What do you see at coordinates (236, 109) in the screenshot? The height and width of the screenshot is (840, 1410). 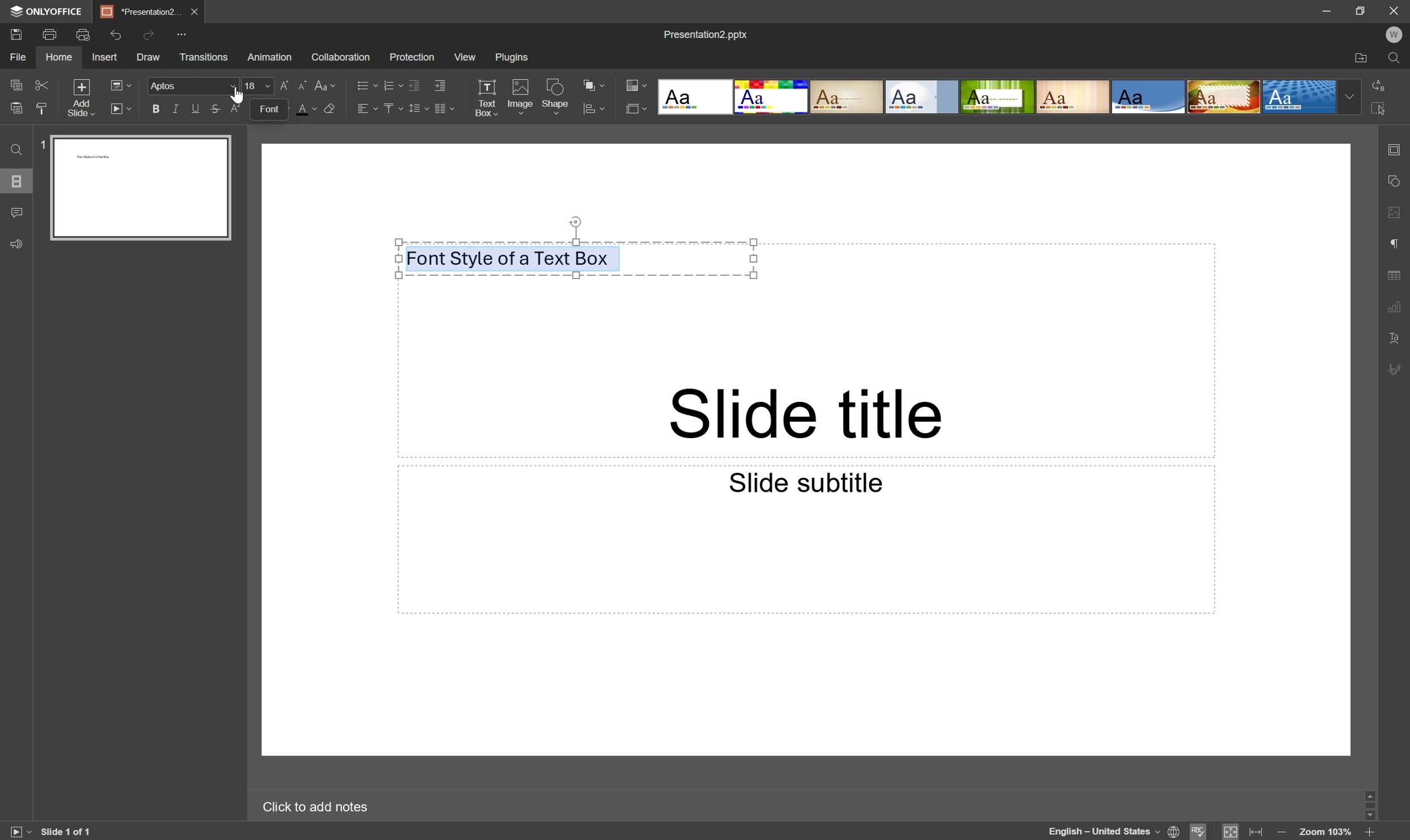 I see `Superscript` at bounding box center [236, 109].